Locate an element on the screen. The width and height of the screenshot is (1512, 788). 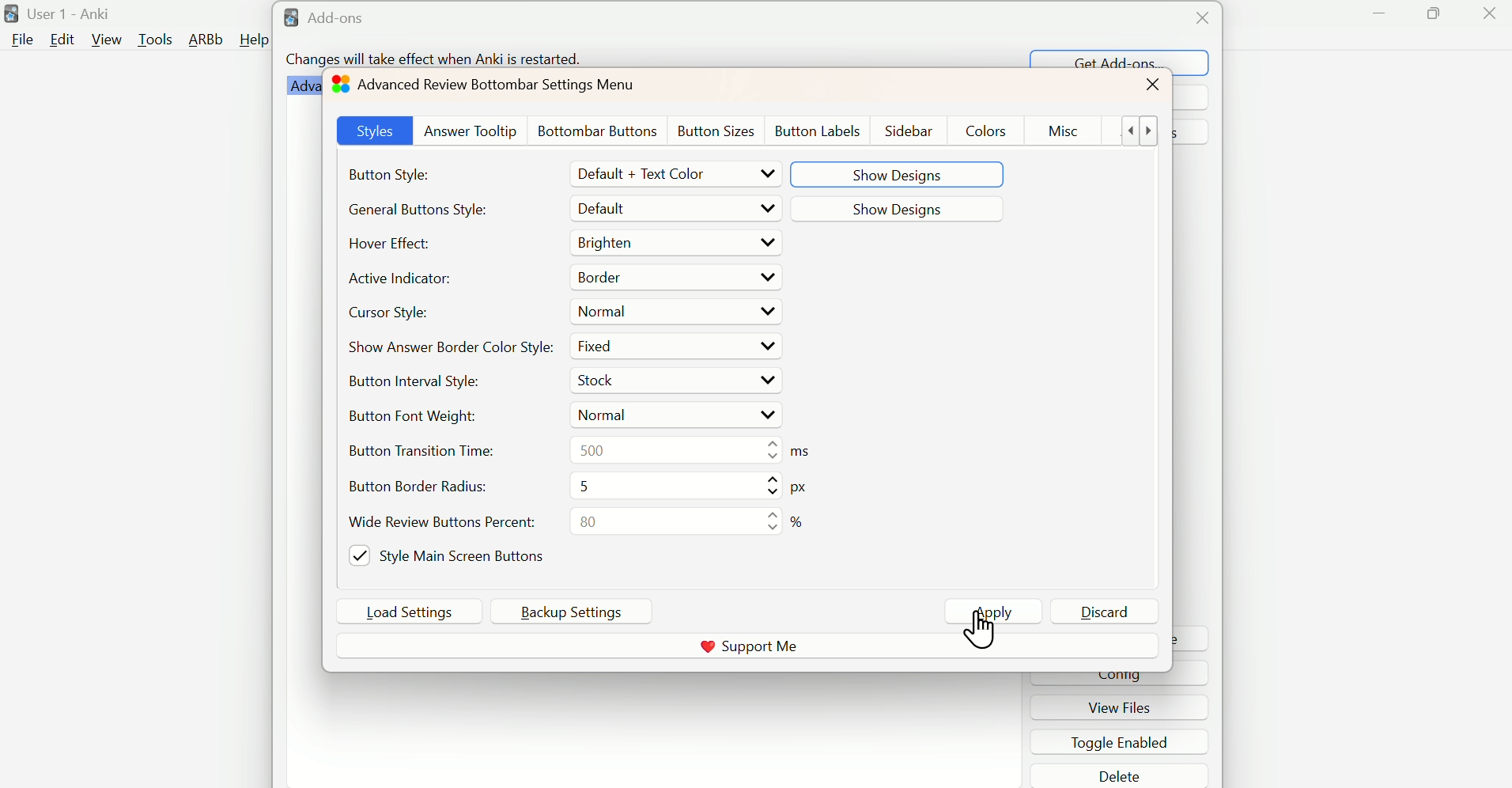
Tools is located at coordinates (157, 40).